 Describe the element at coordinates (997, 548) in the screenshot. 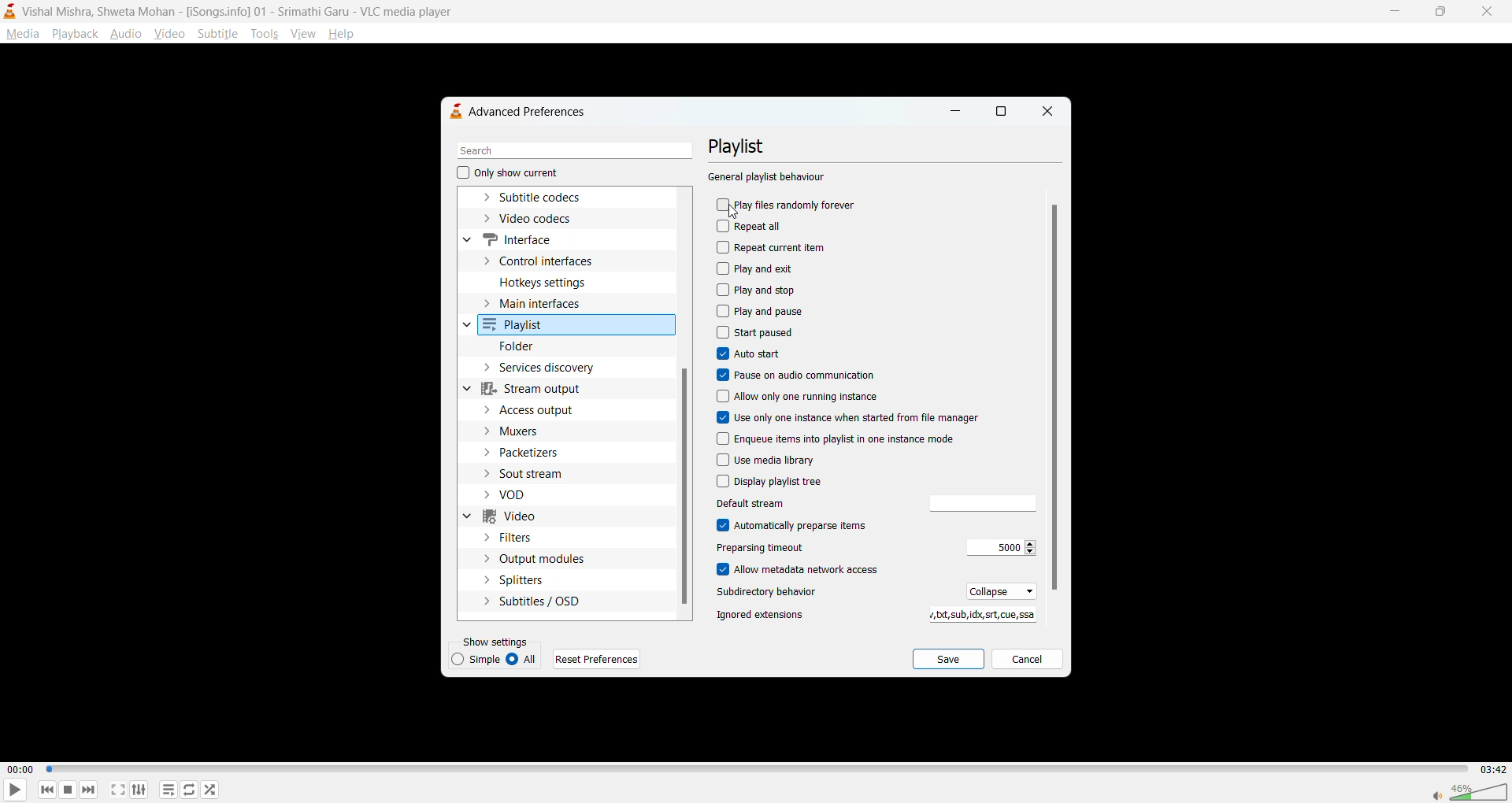

I see `preparsing timeout` at that location.